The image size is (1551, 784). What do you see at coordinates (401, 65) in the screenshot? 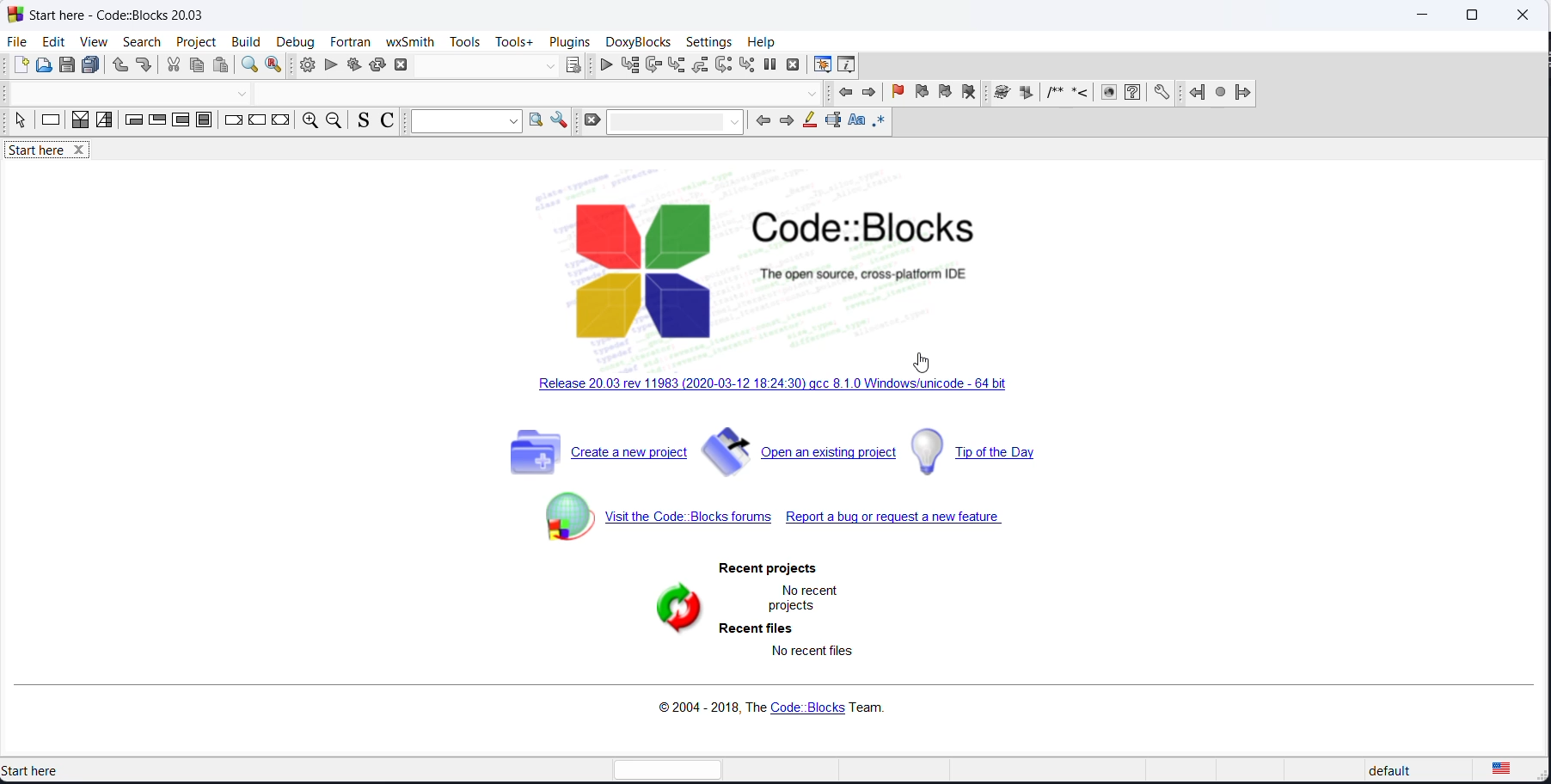
I see `abort` at bounding box center [401, 65].